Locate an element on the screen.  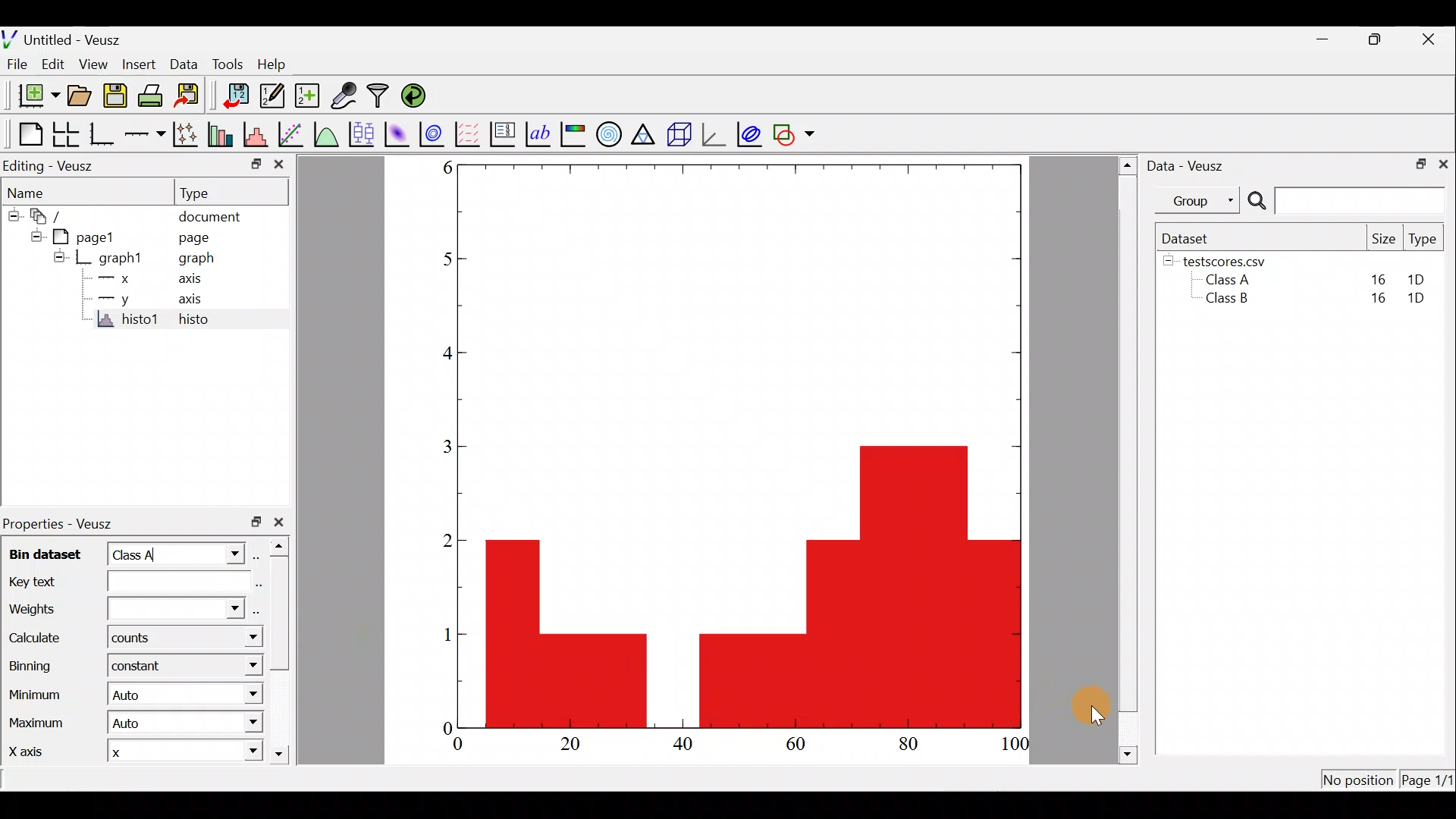
Restore down is located at coordinates (1419, 165).